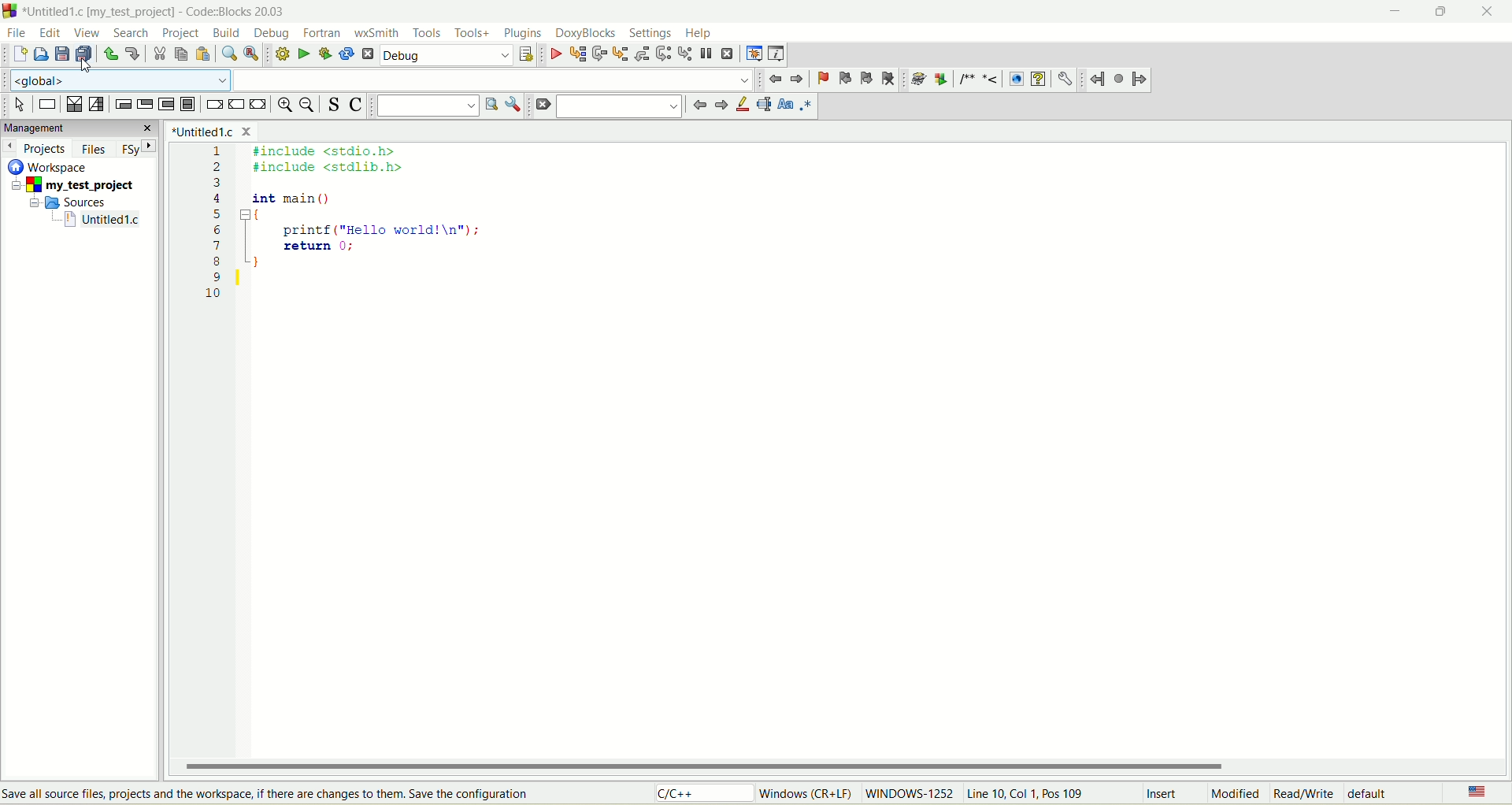 This screenshot has width=1512, height=805. What do you see at coordinates (347, 53) in the screenshot?
I see `rebuild` at bounding box center [347, 53].